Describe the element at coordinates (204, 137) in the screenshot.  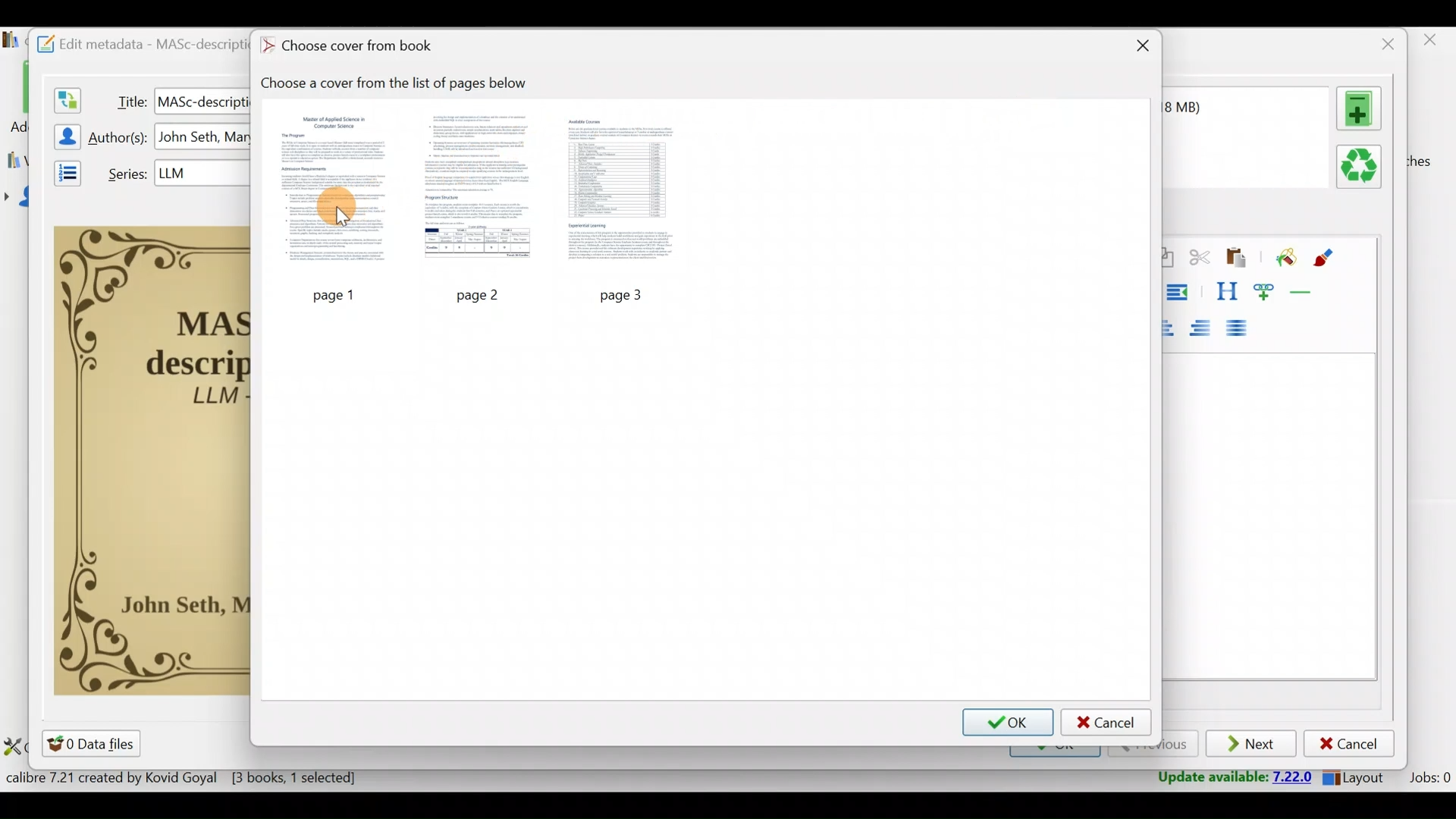
I see `` at that location.